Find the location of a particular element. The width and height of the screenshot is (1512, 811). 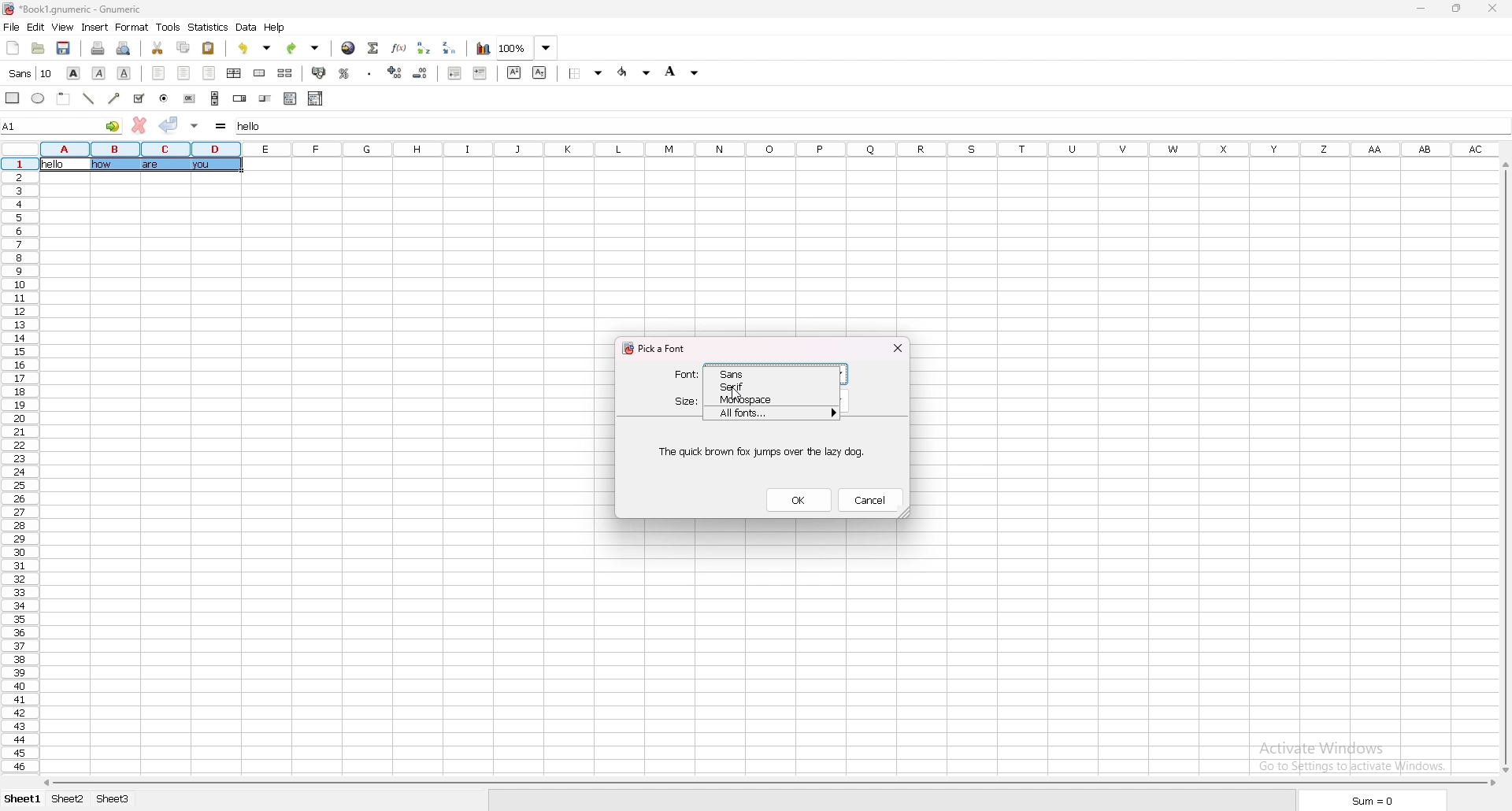

right align is located at coordinates (209, 73).